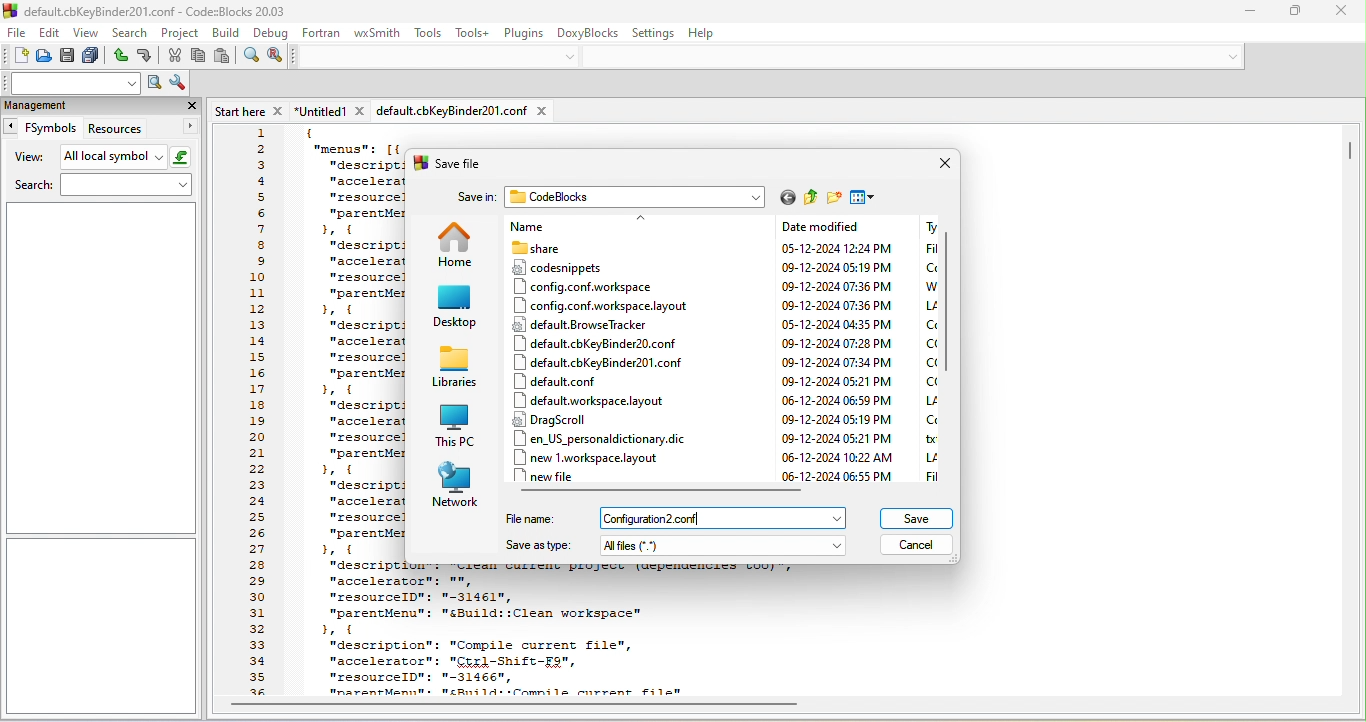  What do you see at coordinates (590, 286) in the screenshot?
I see `config conf workspace` at bounding box center [590, 286].